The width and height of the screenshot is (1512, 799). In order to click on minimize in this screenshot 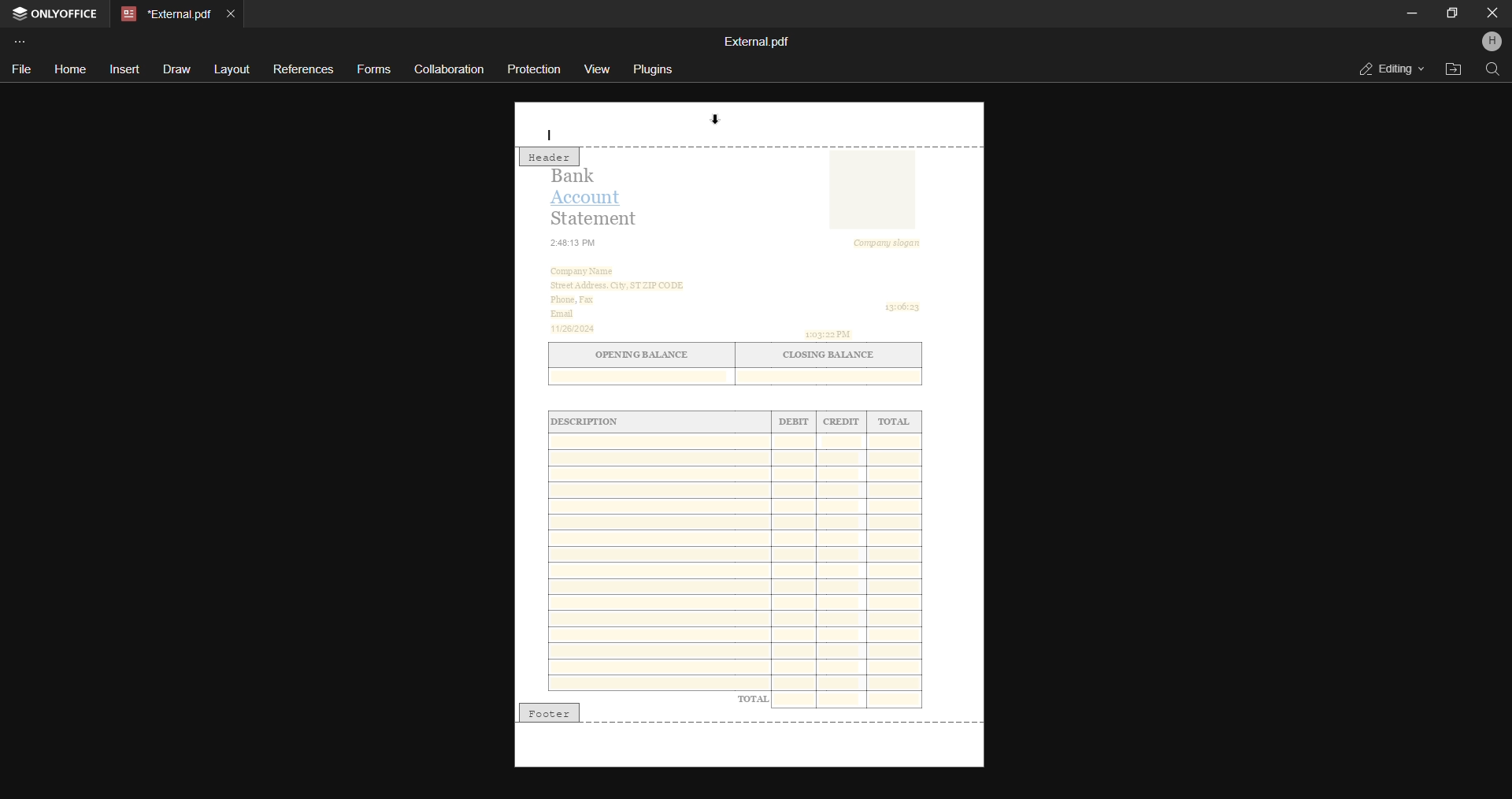, I will do `click(1411, 13)`.